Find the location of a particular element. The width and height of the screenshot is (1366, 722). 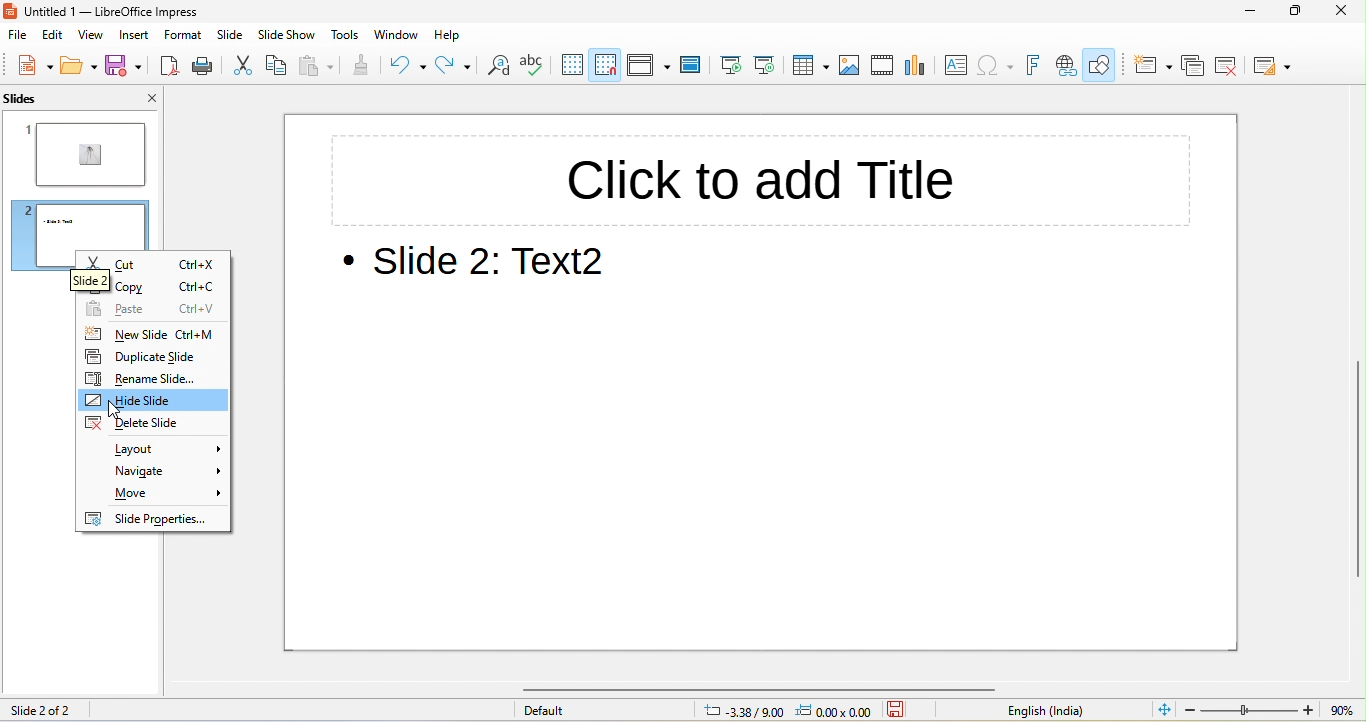

slide 2 is located at coordinates (78, 221).